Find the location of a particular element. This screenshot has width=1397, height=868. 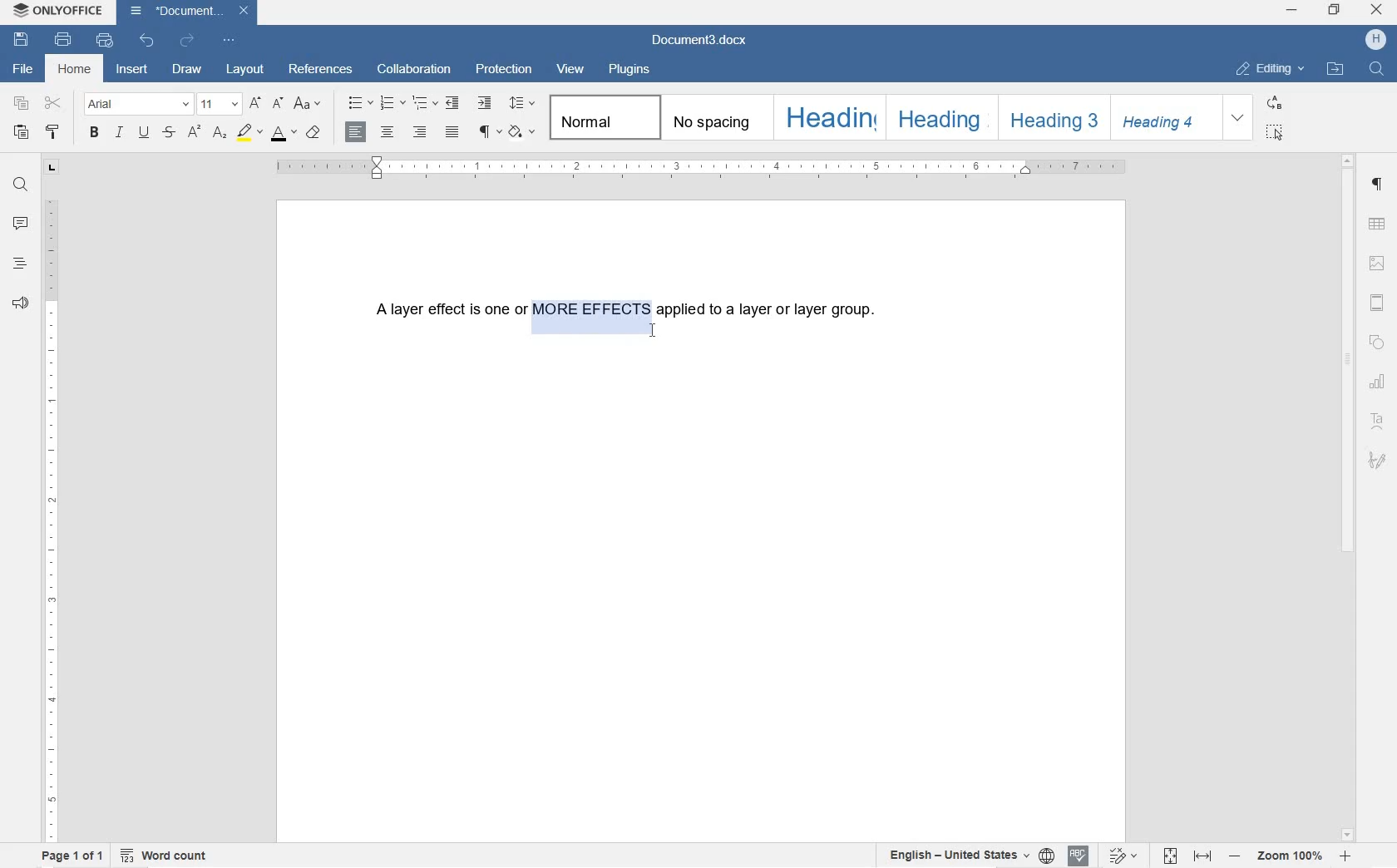

JUSTIFIED is located at coordinates (452, 133).